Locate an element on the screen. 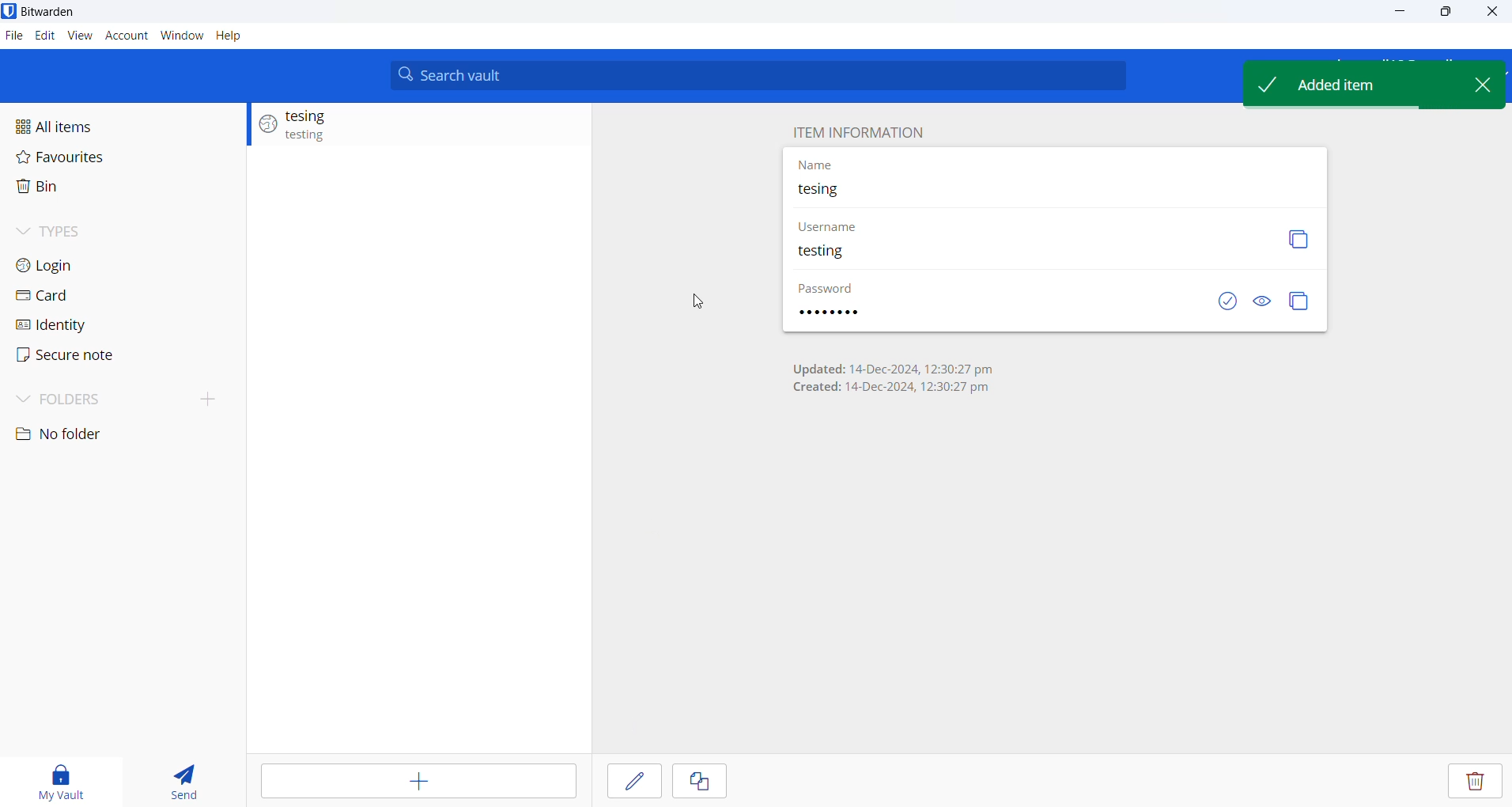 The image size is (1512, 807). Bitwarden is located at coordinates (54, 12).